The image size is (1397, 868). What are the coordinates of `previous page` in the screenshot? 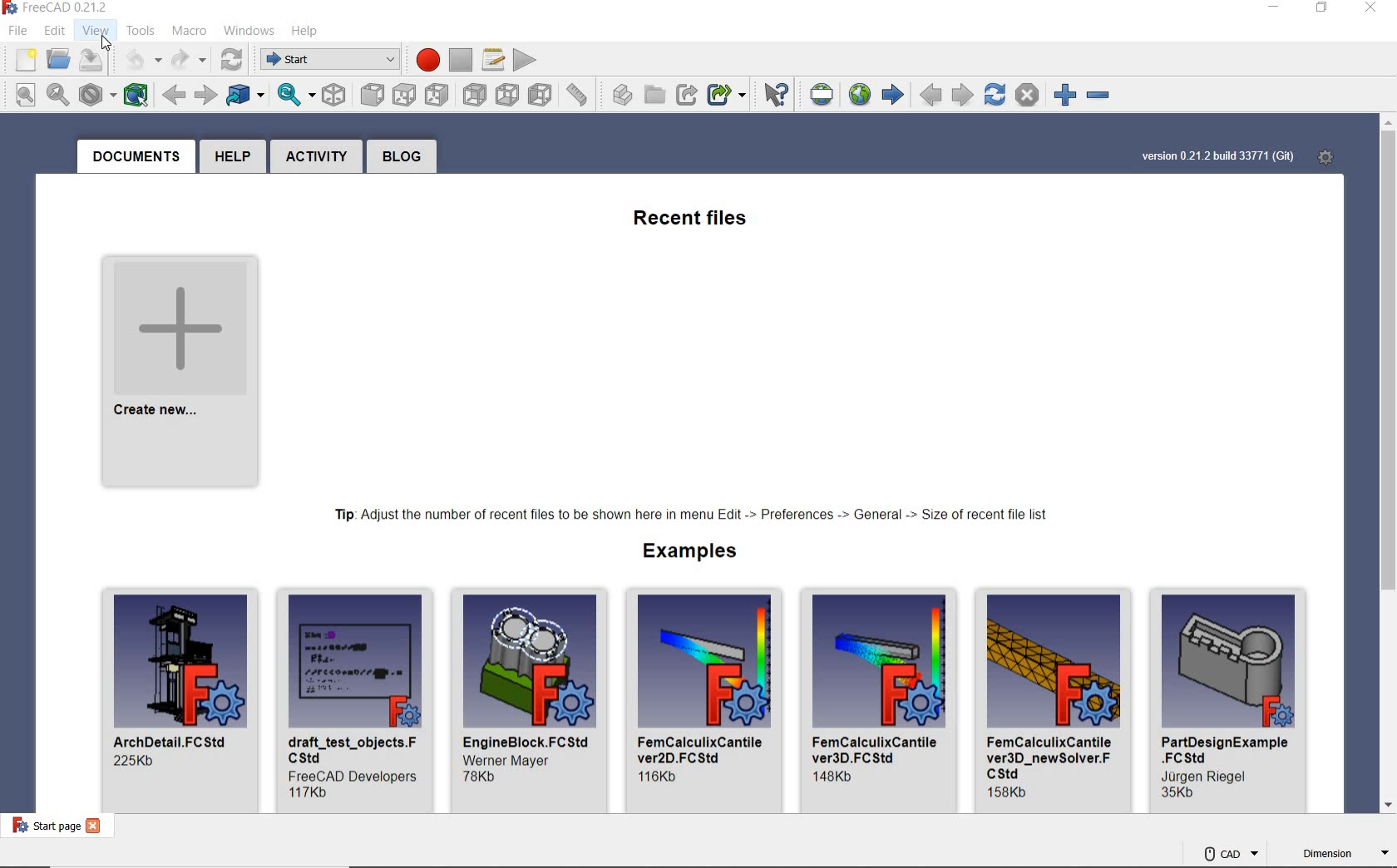 It's located at (931, 96).